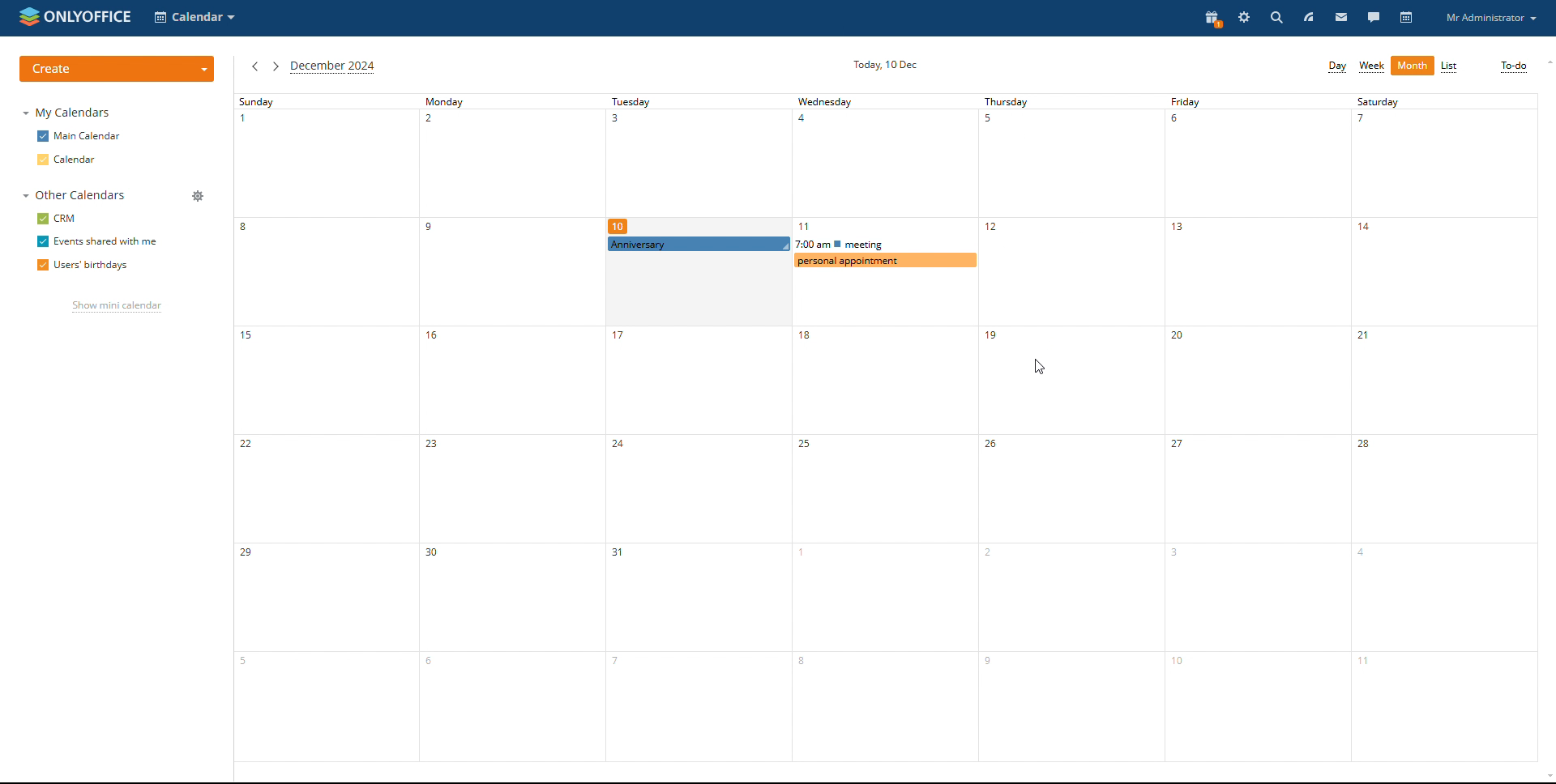 Image resolution: width=1556 pixels, height=784 pixels. I want to click on my calendars, so click(65, 113).